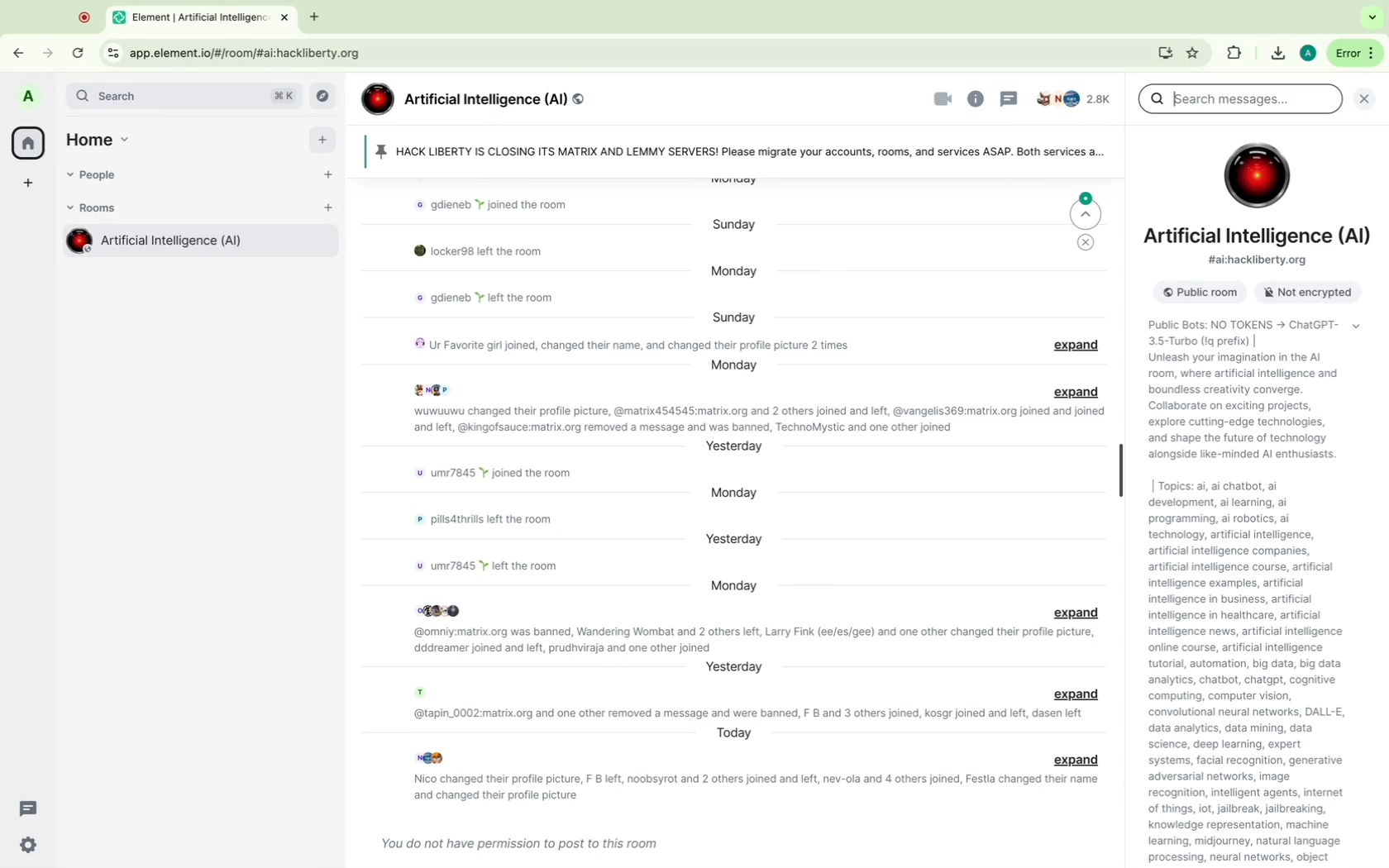  Describe the element at coordinates (733, 448) in the screenshot. I see `day` at that location.